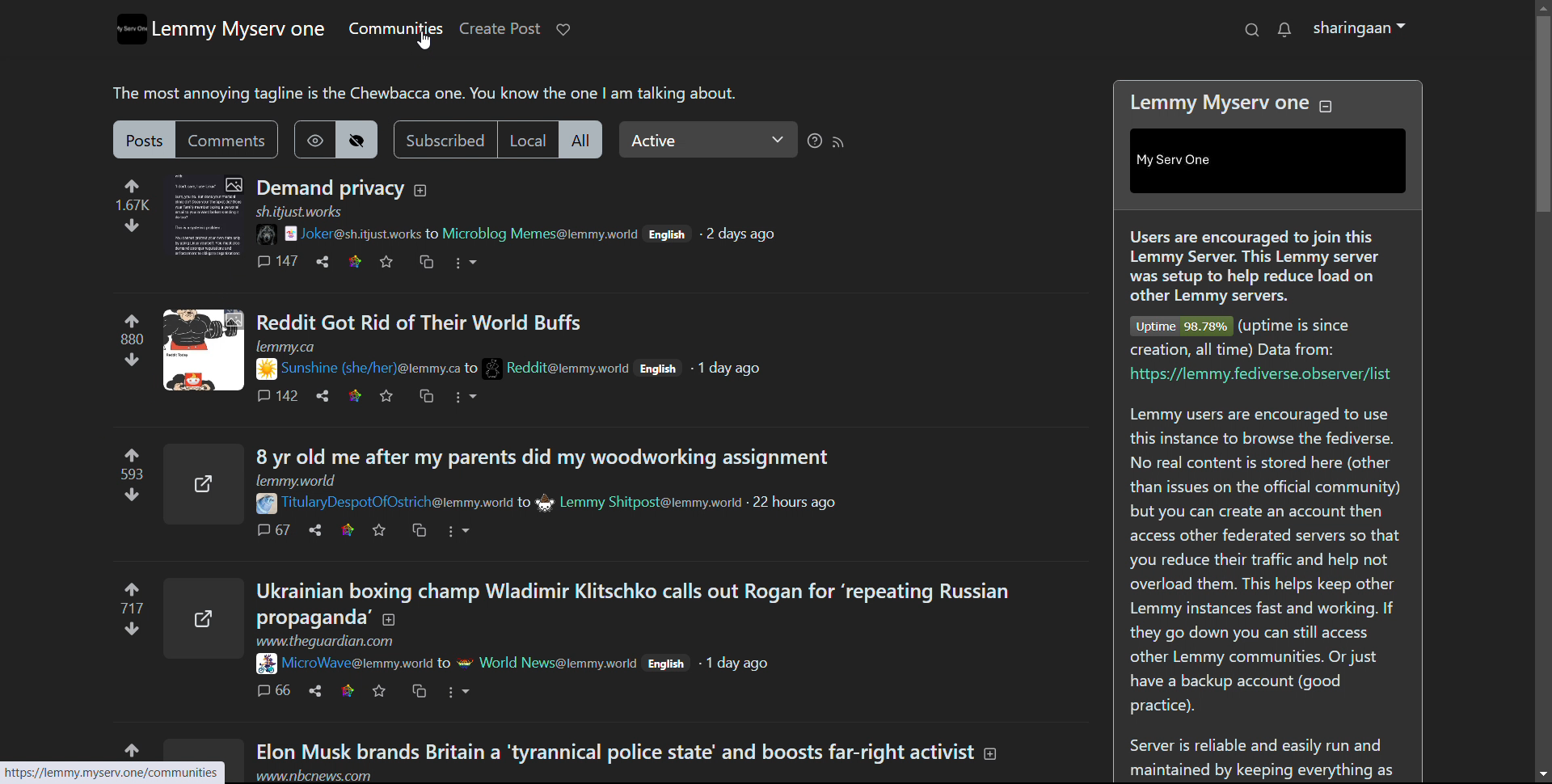  I want to click on link, so click(344, 689).